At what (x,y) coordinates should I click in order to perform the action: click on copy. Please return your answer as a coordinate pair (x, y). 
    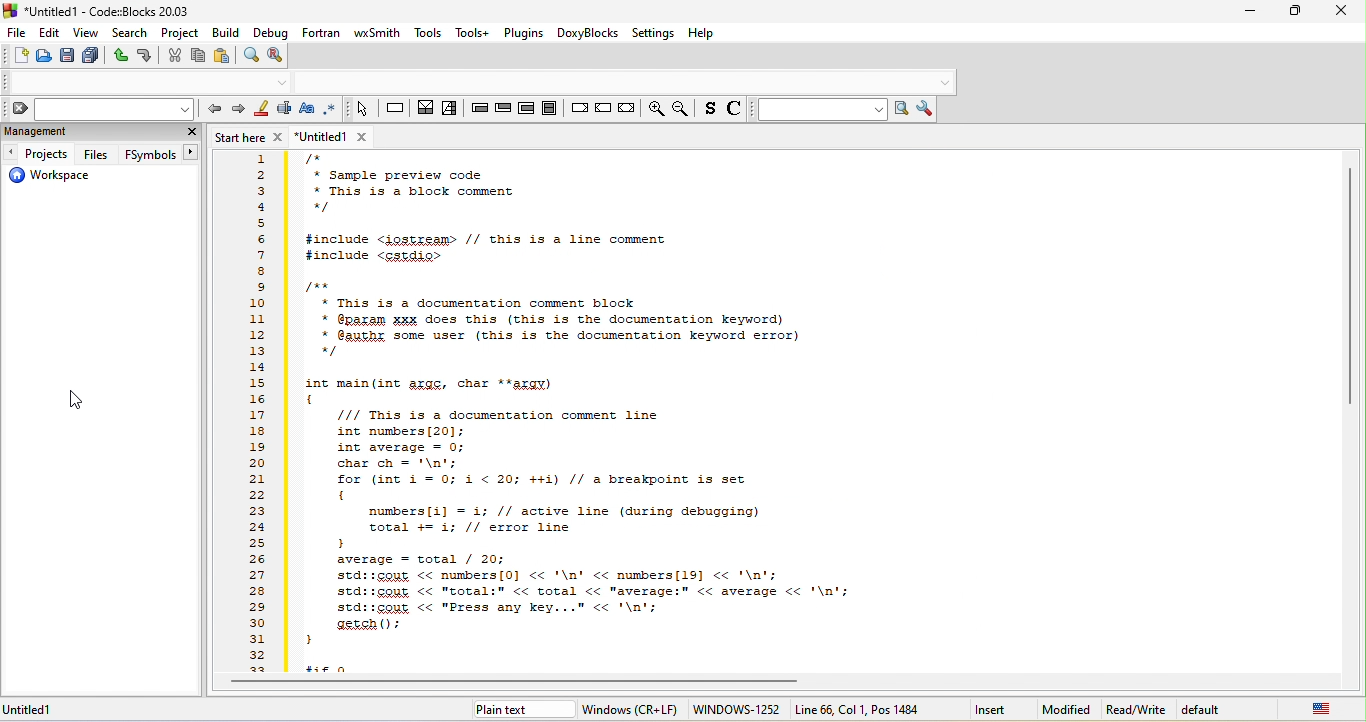
    Looking at the image, I should click on (197, 56).